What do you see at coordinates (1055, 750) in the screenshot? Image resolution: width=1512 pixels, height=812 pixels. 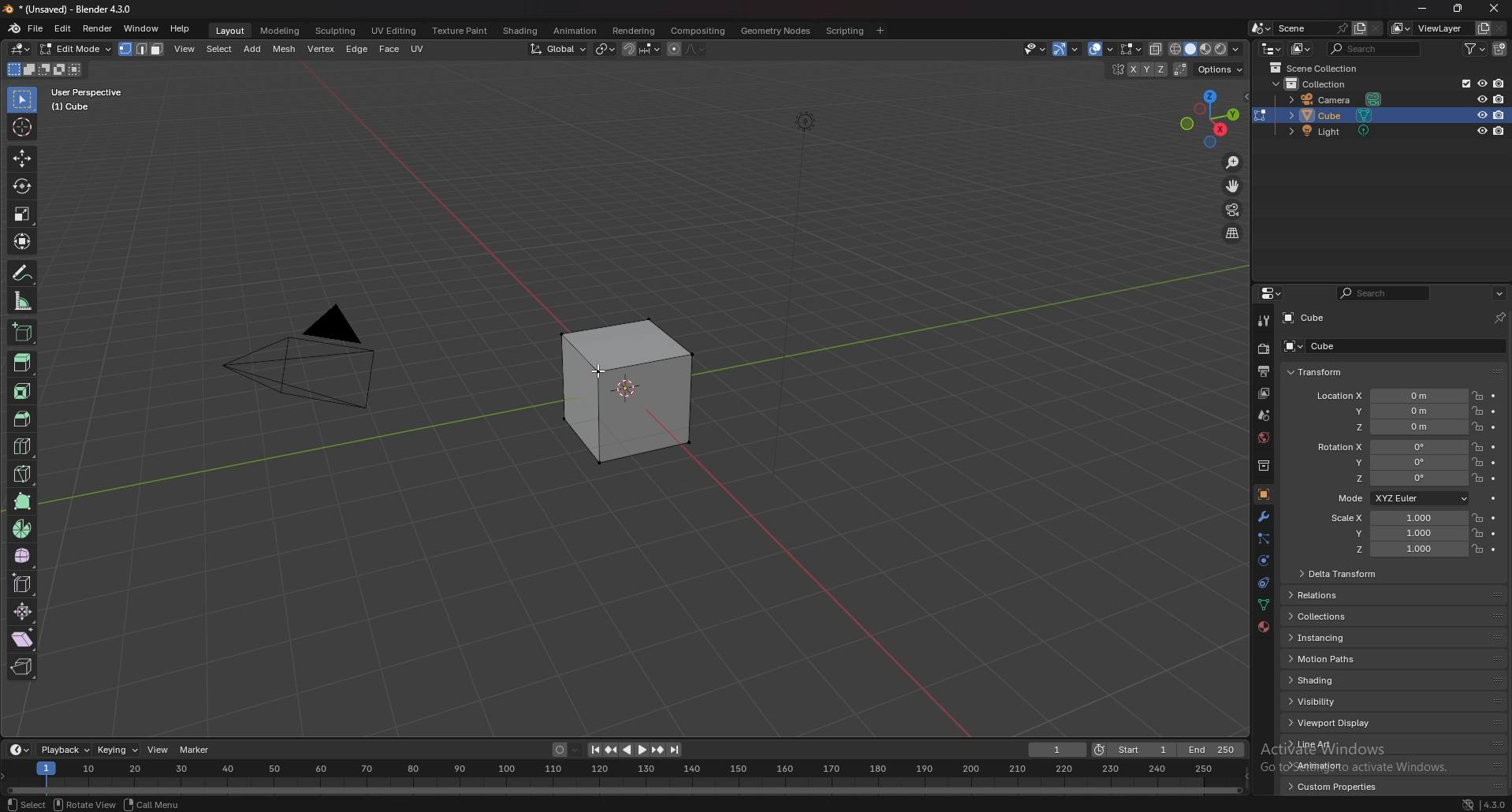 I see `1` at bounding box center [1055, 750].